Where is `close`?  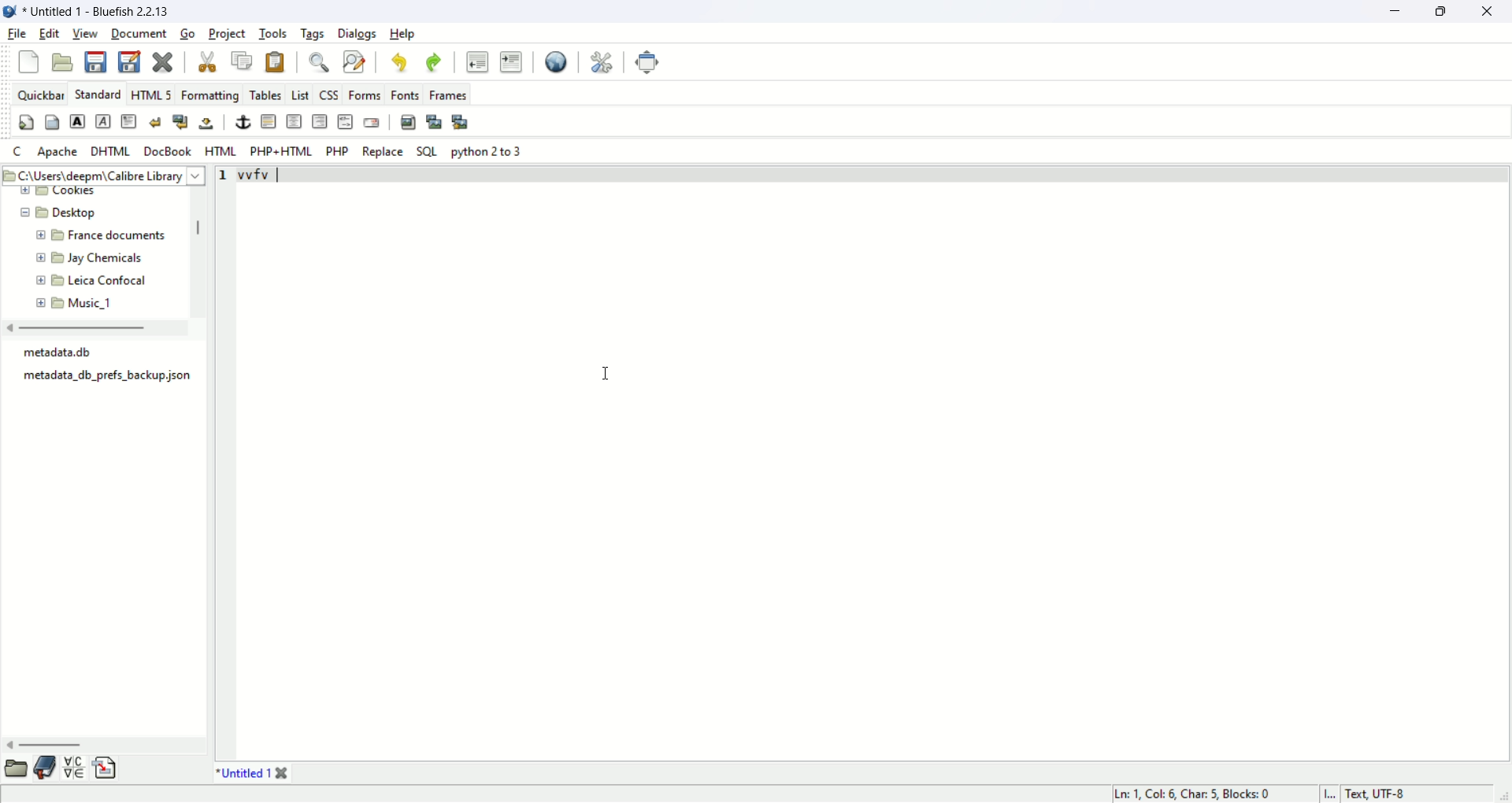 close is located at coordinates (285, 775).